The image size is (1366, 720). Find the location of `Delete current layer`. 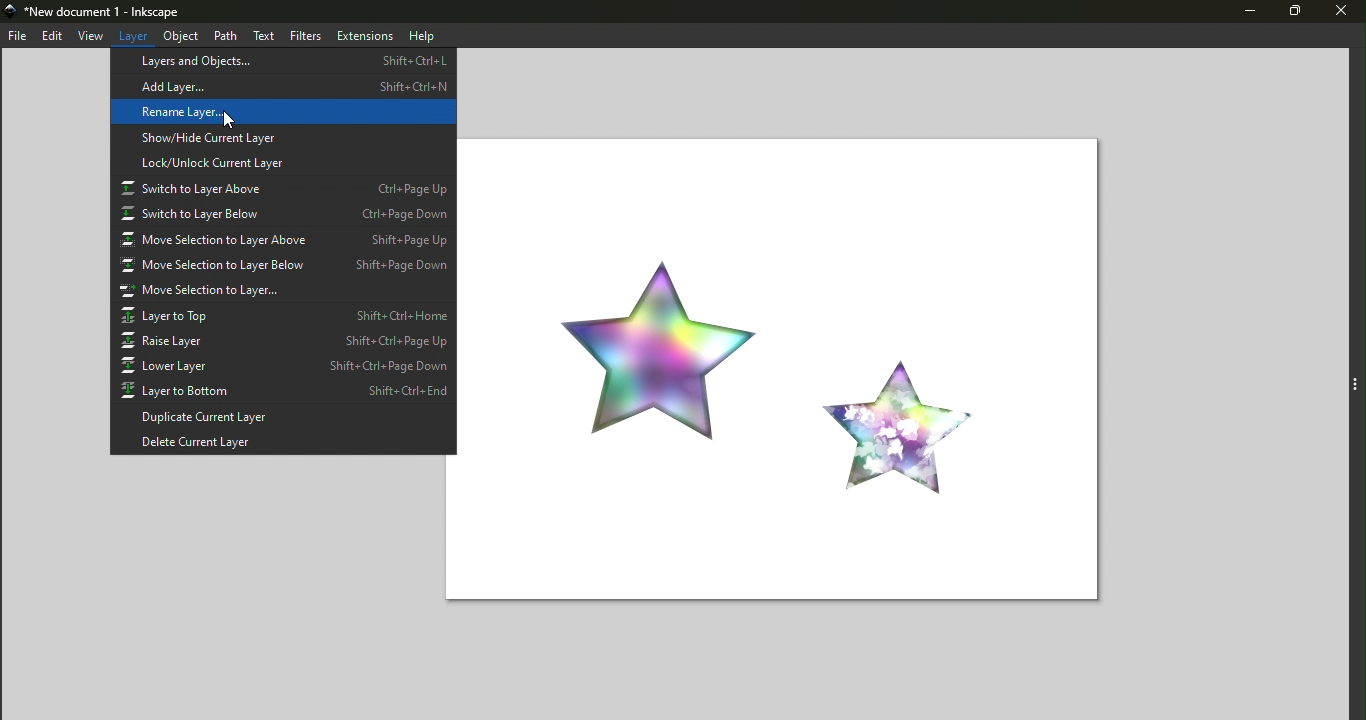

Delete current layer is located at coordinates (280, 442).